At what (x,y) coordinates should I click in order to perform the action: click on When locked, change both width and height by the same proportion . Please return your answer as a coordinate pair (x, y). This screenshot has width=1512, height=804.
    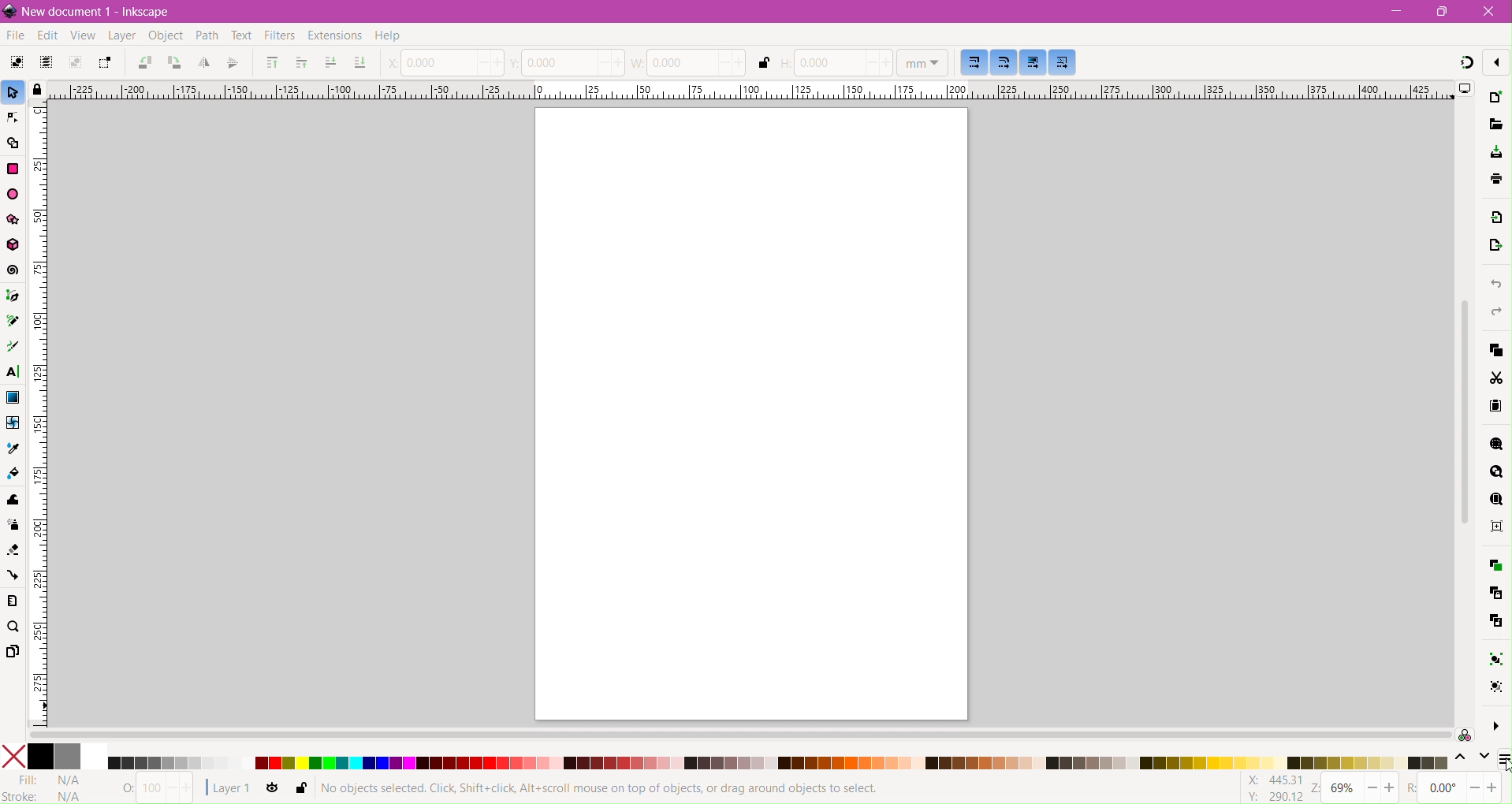
    Looking at the image, I should click on (764, 64).